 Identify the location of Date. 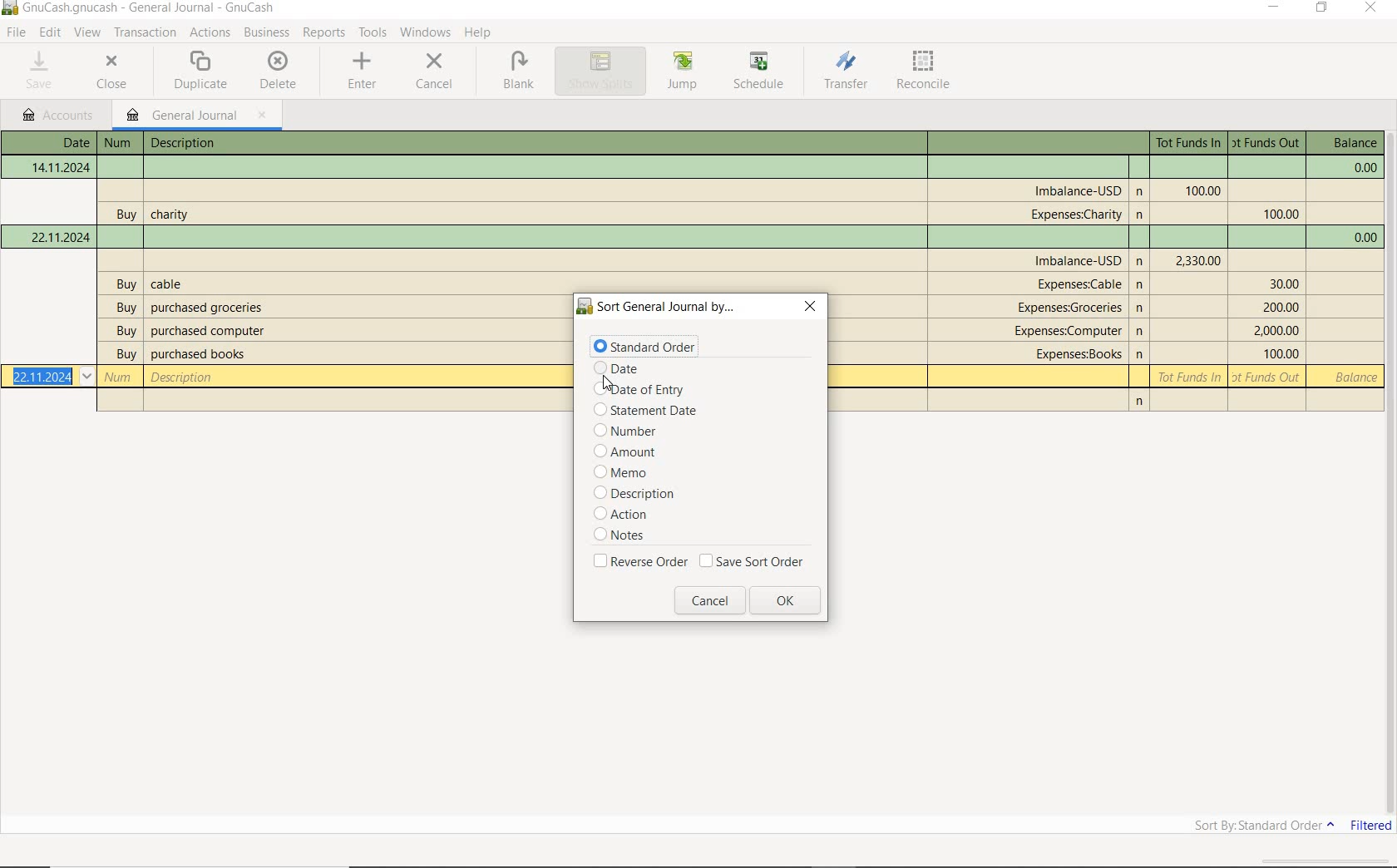
(62, 168).